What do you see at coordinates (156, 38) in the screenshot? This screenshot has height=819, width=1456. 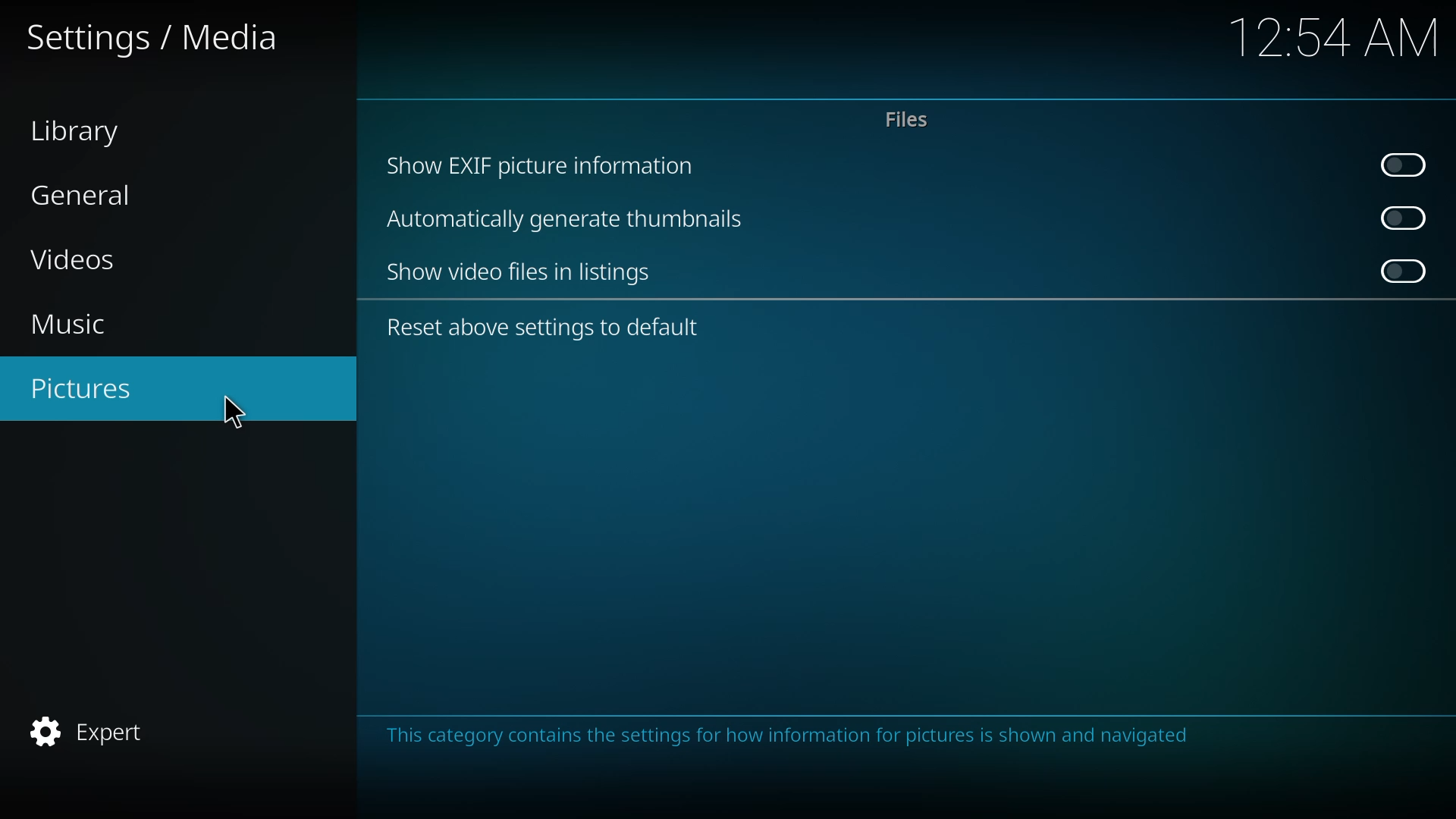 I see `settings media` at bounding box center [156, 38].